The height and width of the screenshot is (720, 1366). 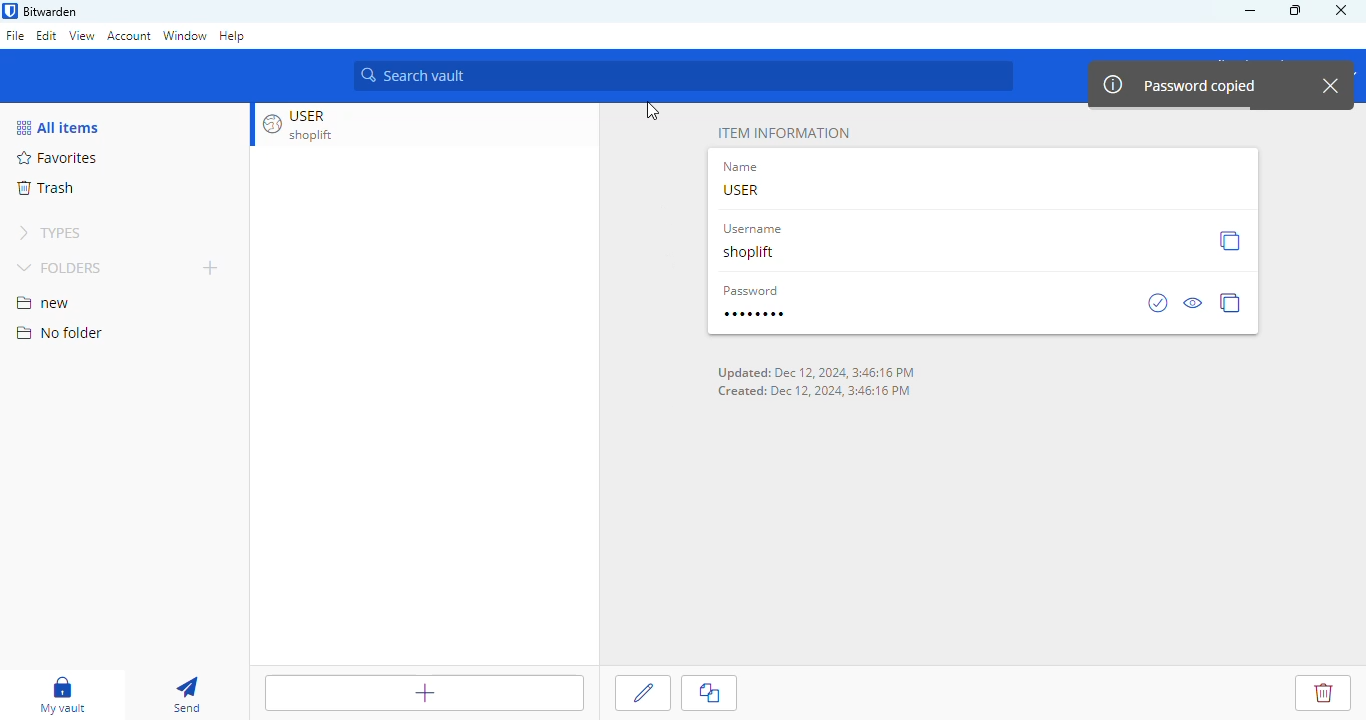 I want to click on close, so click(x=1331, y=84).